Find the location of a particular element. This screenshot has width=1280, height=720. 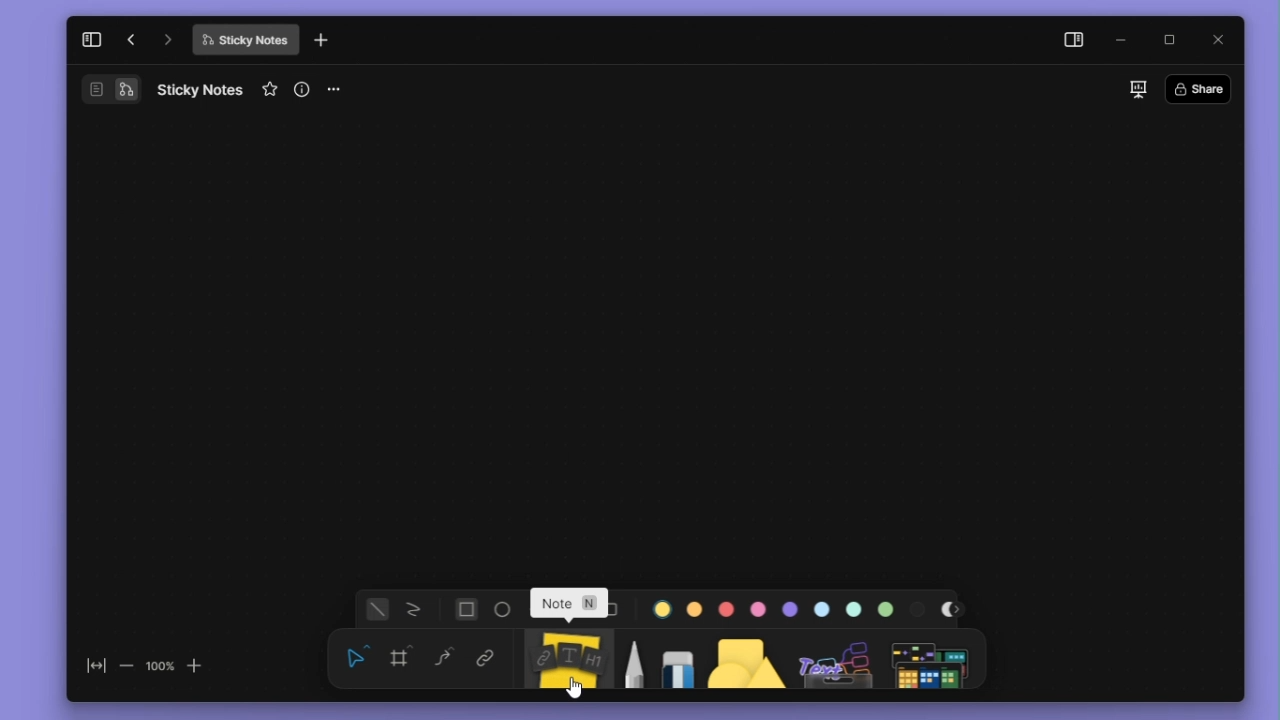

go back is located at coordinates (128, 45).